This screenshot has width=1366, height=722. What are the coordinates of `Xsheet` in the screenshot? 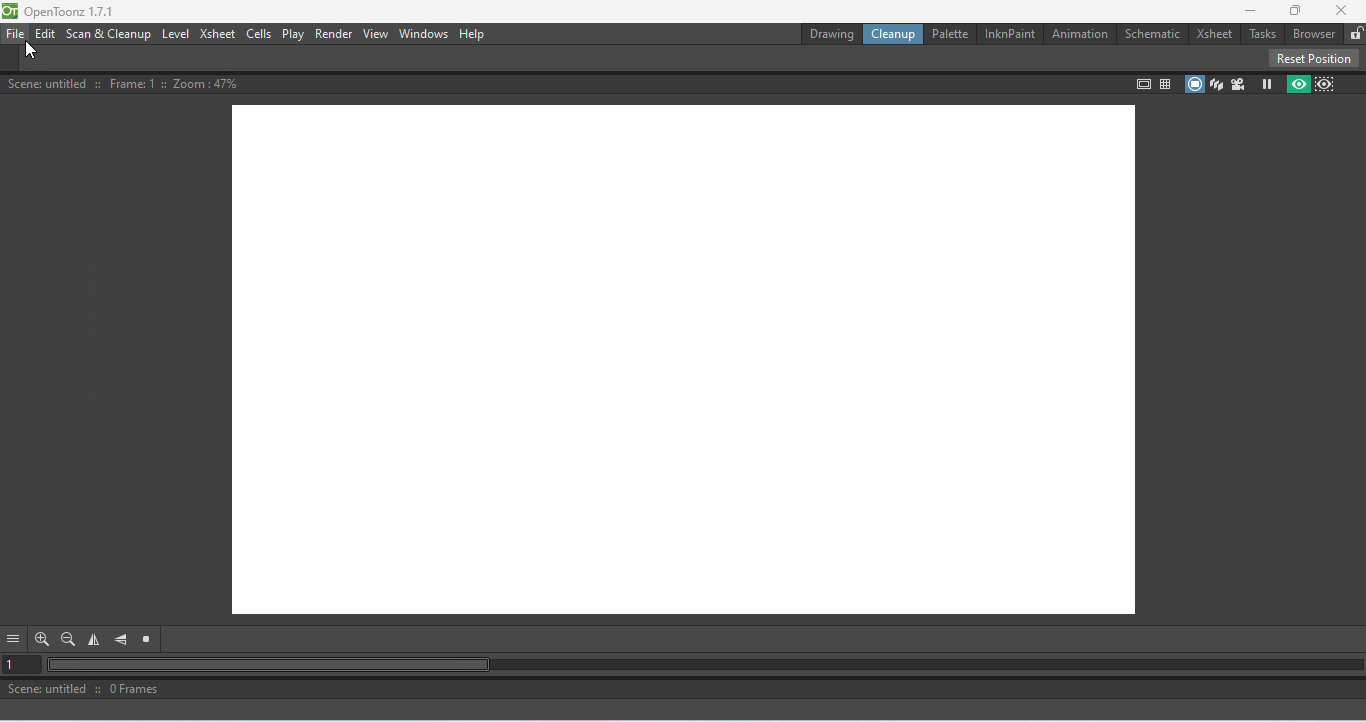 It's located at (218, 34).